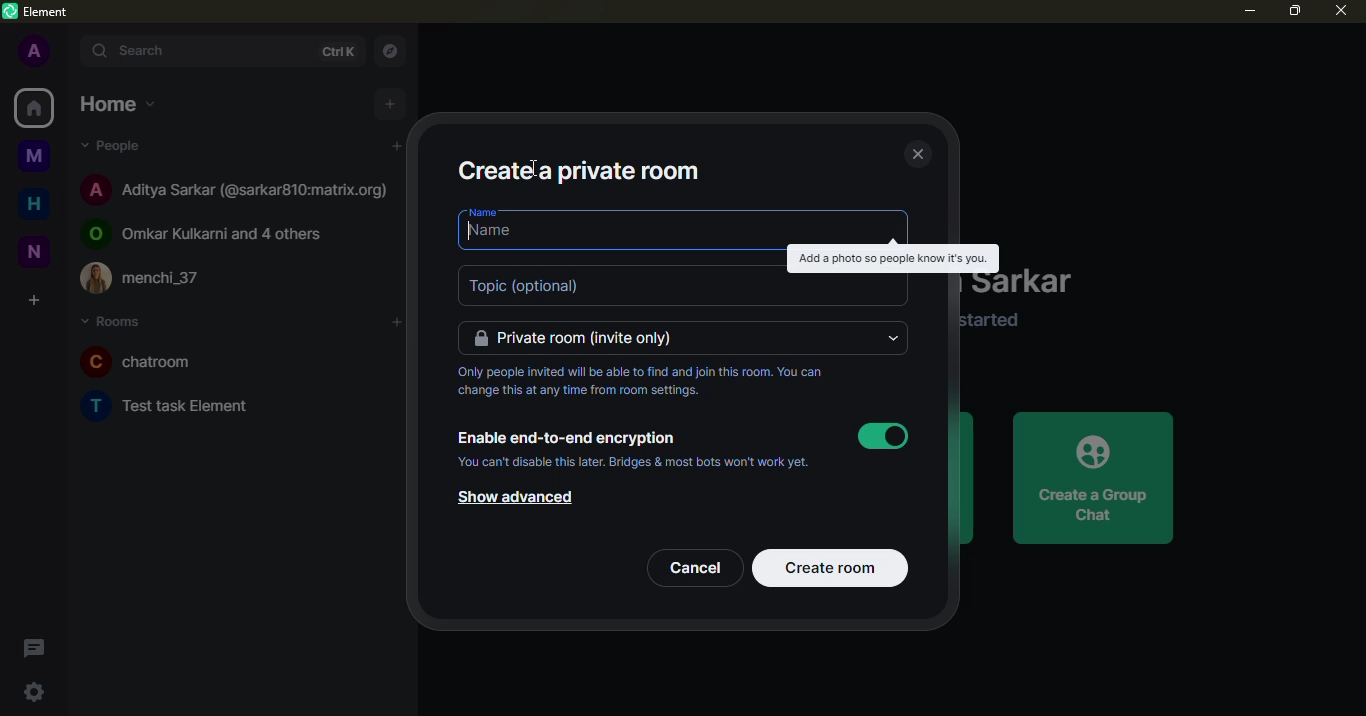  Describe the element at coordinates (114, 323) in the screenshot. I see `rooms` at that location.